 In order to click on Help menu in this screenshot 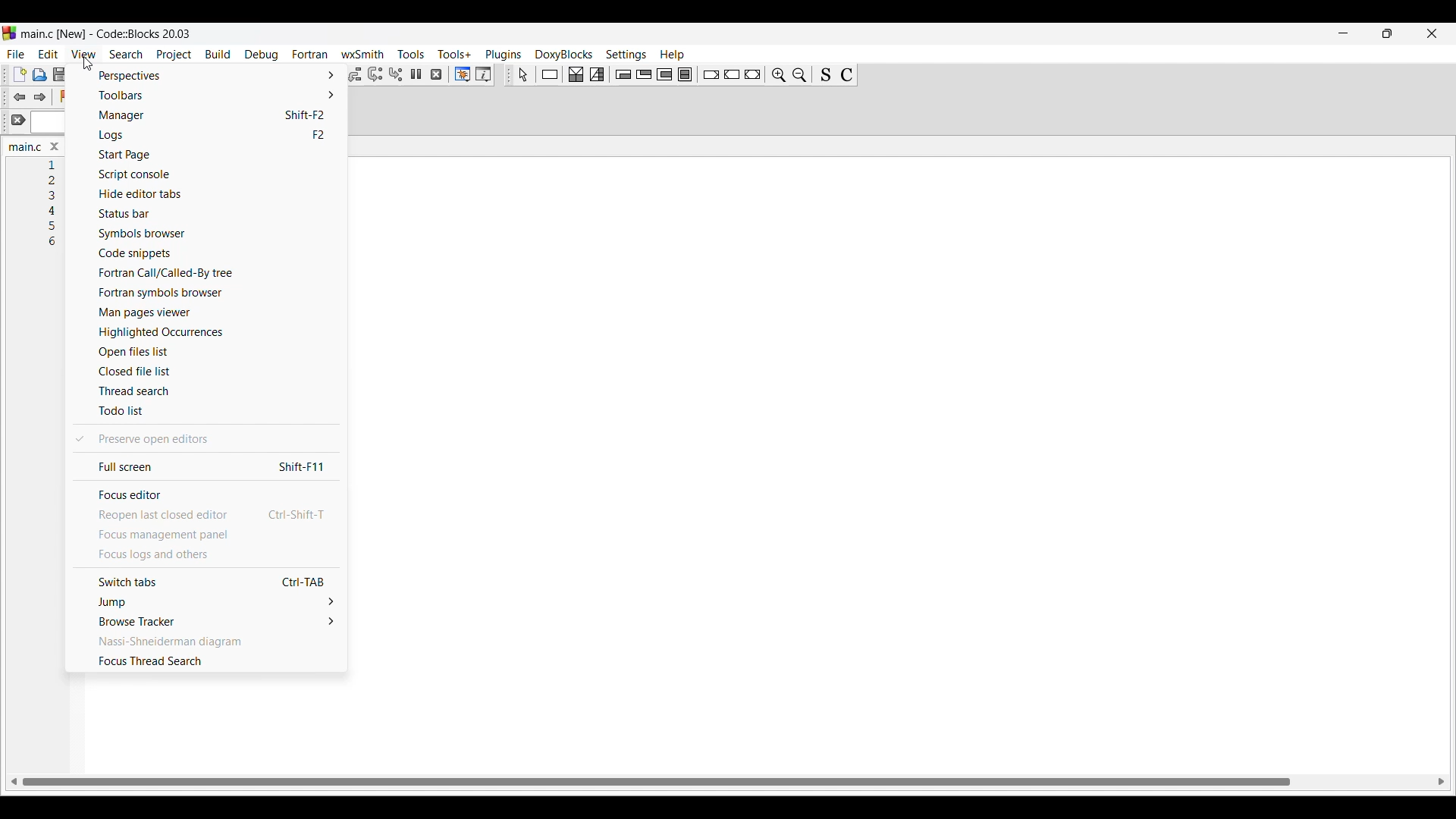, I will do `click(672, 55)`.